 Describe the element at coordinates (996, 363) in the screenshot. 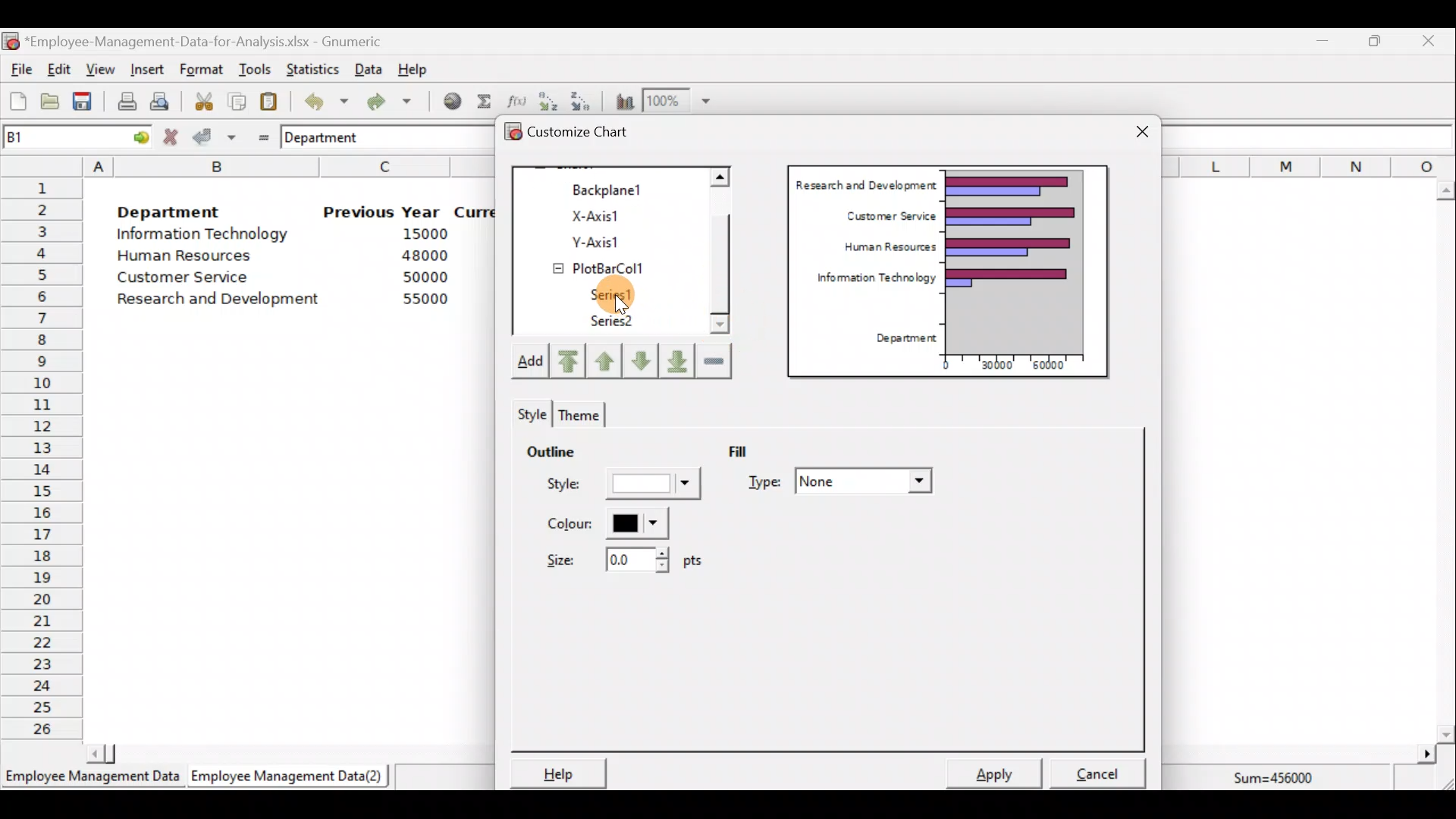

I see `30000` at that location.